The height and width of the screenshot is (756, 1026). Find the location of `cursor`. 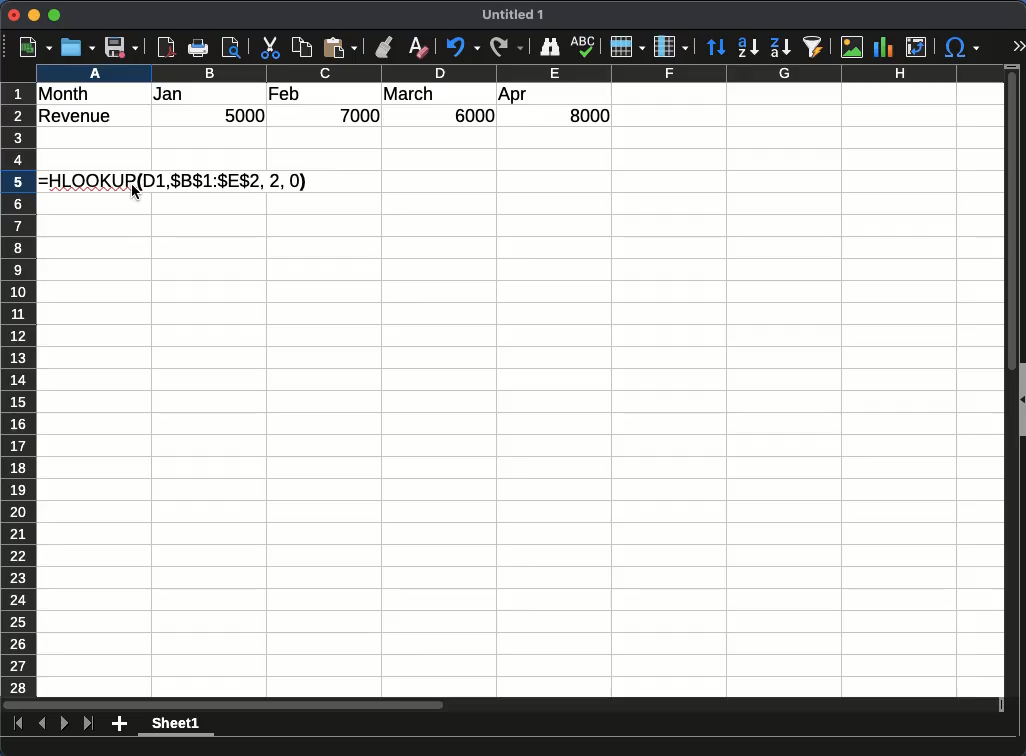

cursor is located at coordinates (137, 192).